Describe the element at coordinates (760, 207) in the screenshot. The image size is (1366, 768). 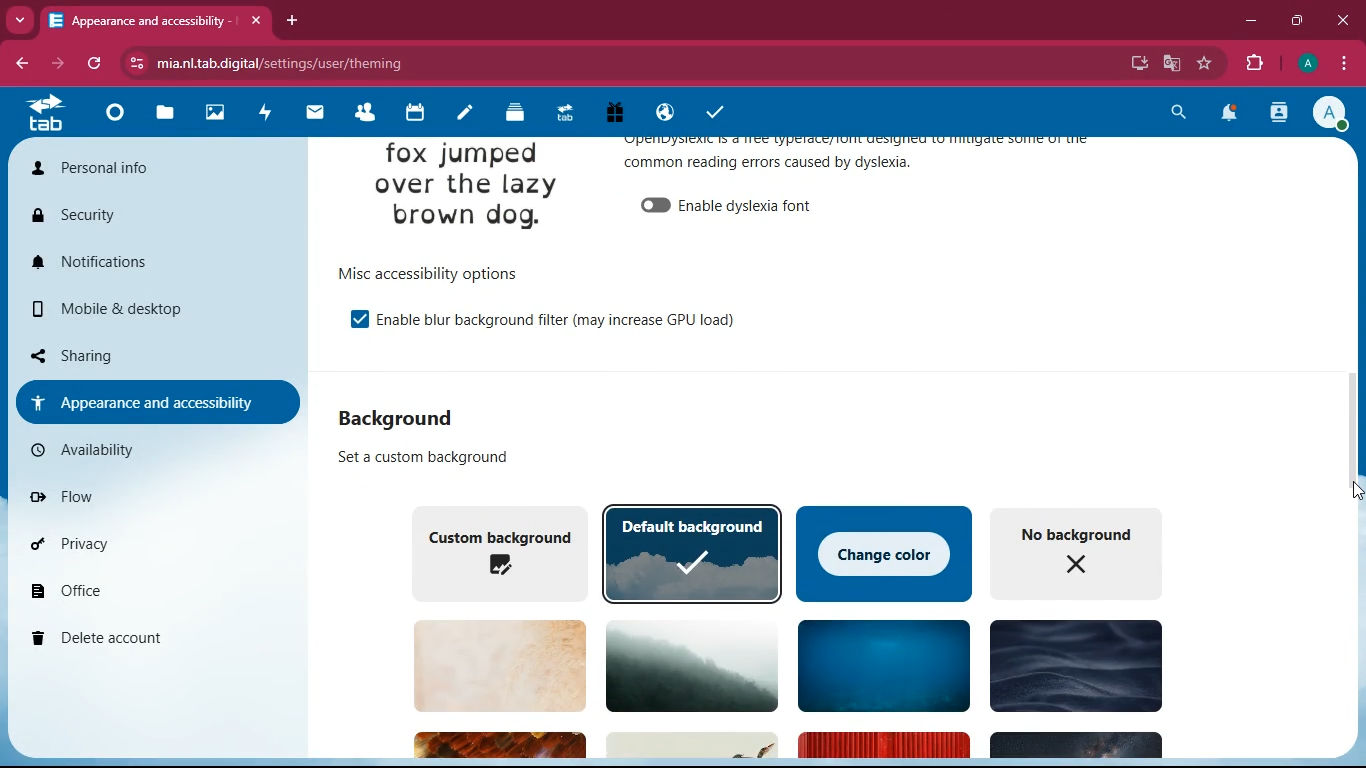
I see `enable` at that location.